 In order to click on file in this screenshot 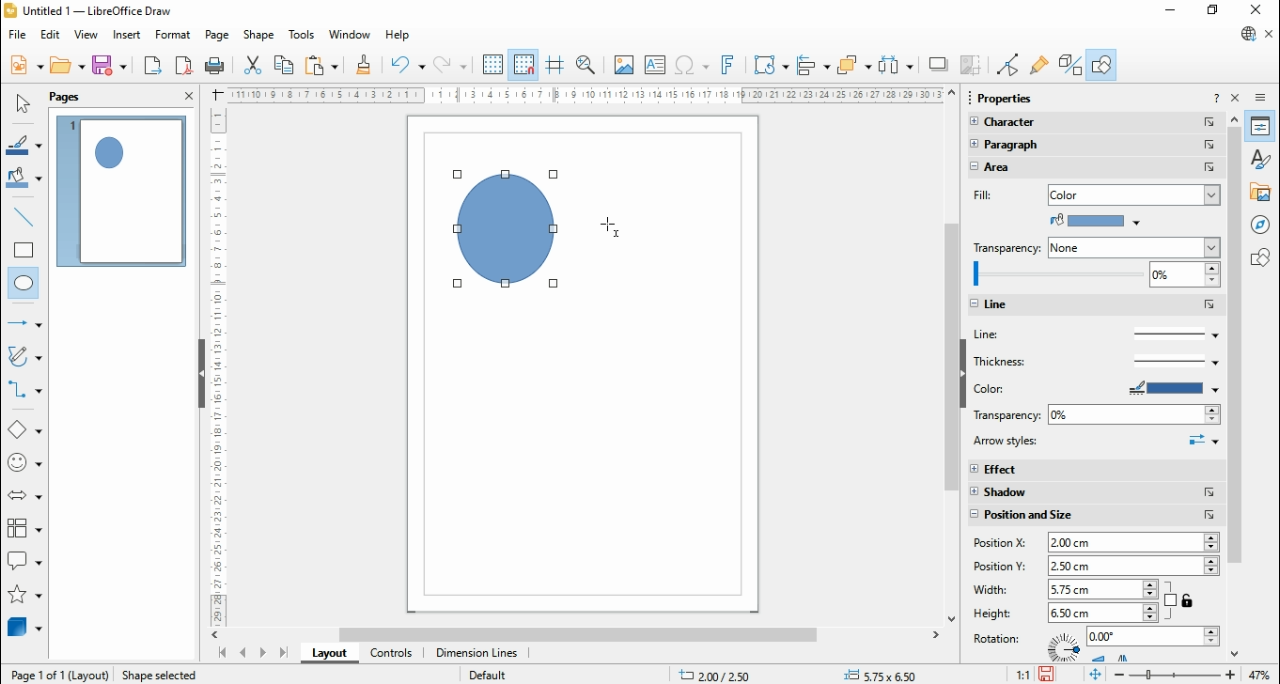, I will do `click(19, 34)`.